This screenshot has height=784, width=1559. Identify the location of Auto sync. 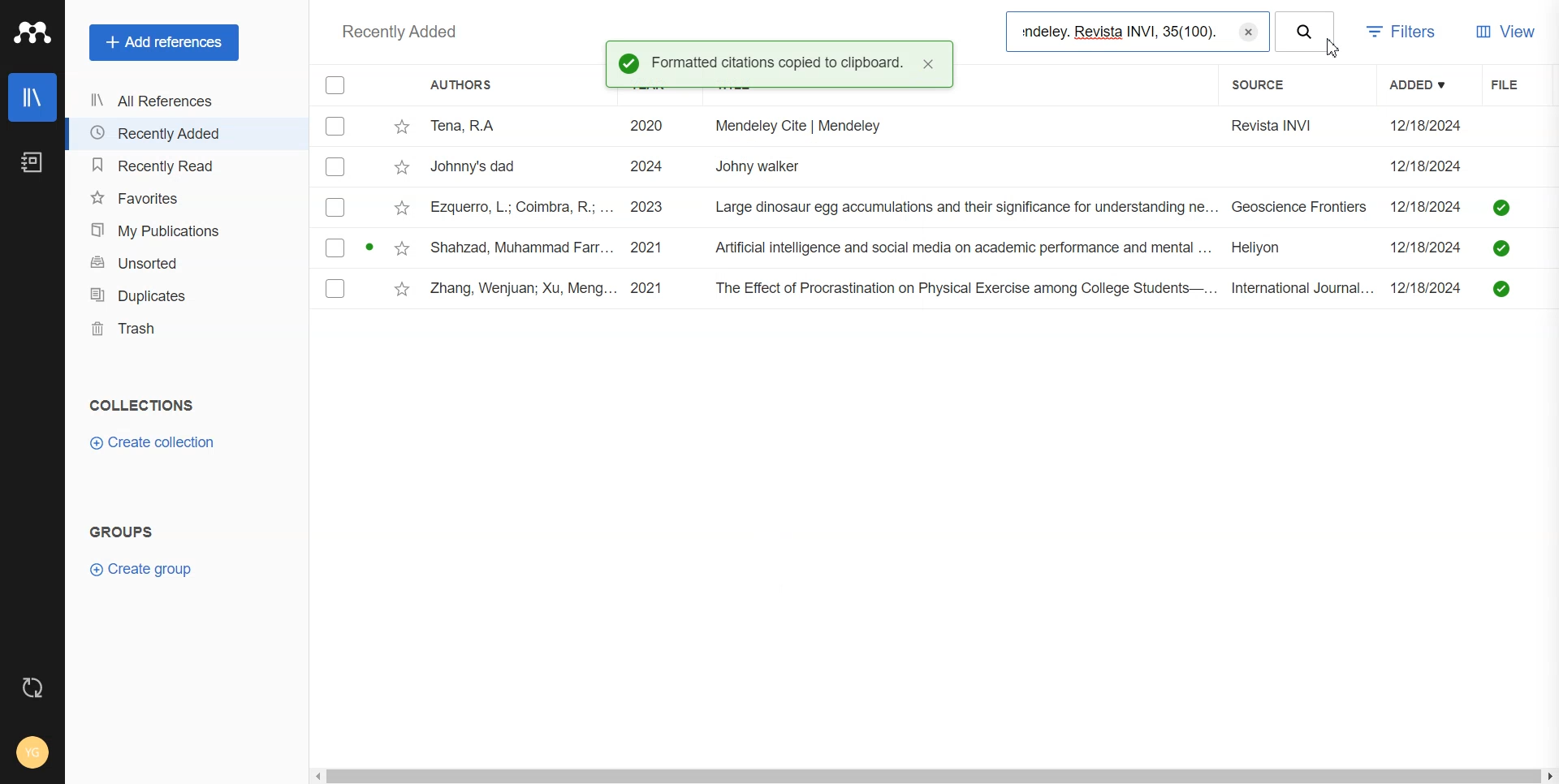
(33, 687).